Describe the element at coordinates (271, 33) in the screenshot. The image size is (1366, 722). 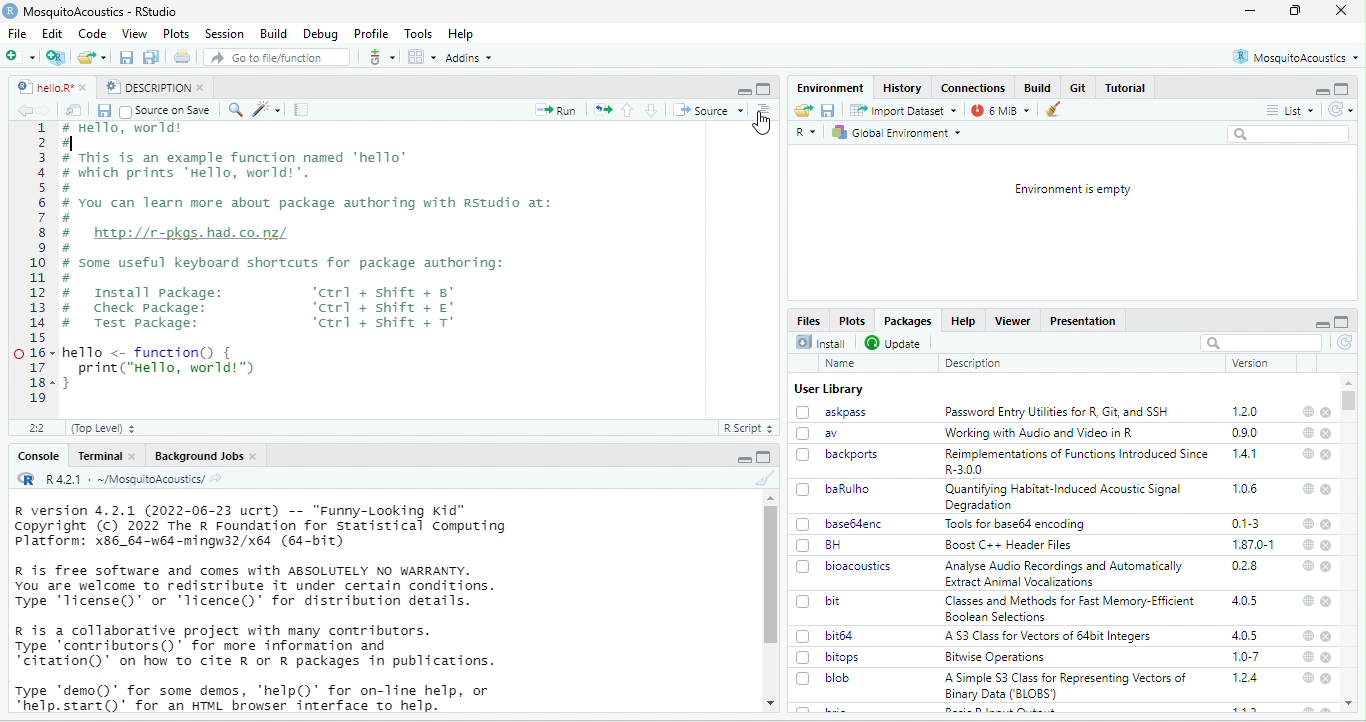
I see `Build` at that location.